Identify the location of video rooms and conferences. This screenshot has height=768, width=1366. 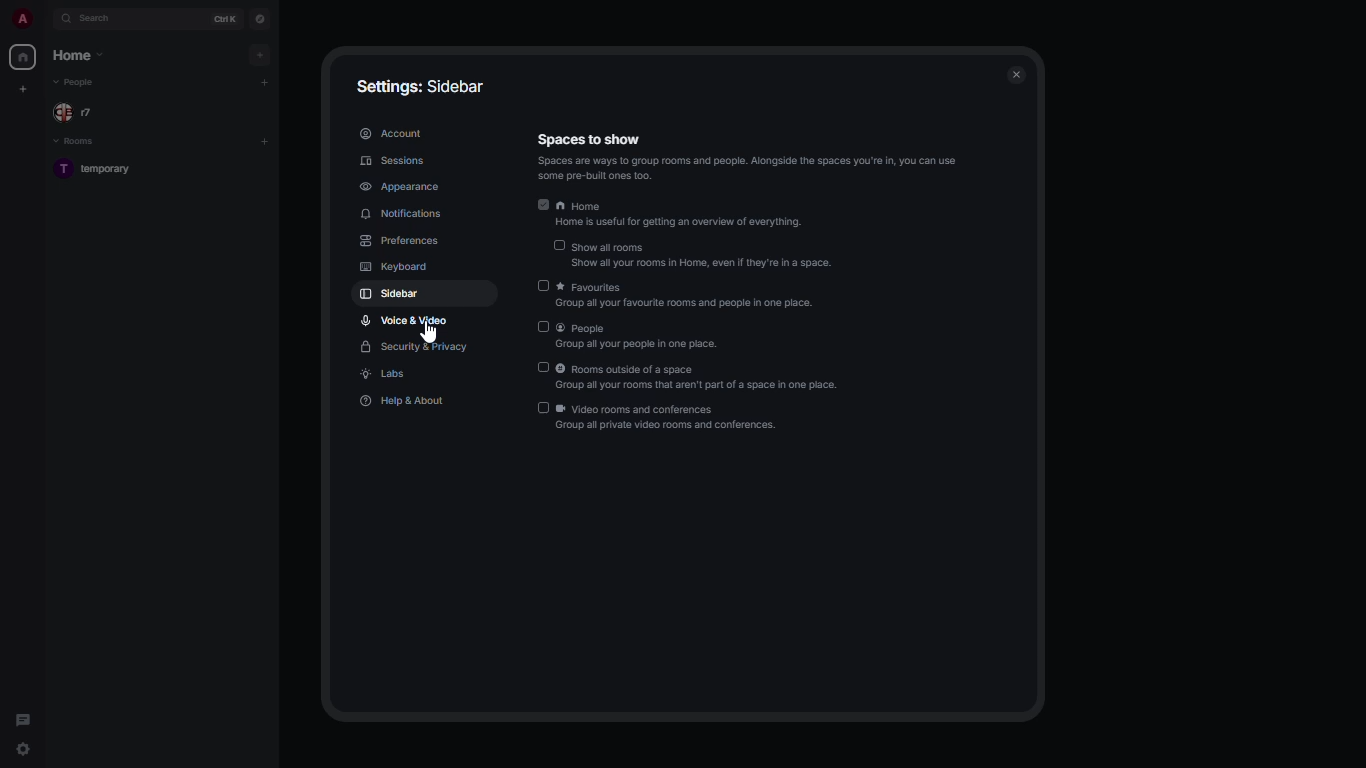
(670, 420).